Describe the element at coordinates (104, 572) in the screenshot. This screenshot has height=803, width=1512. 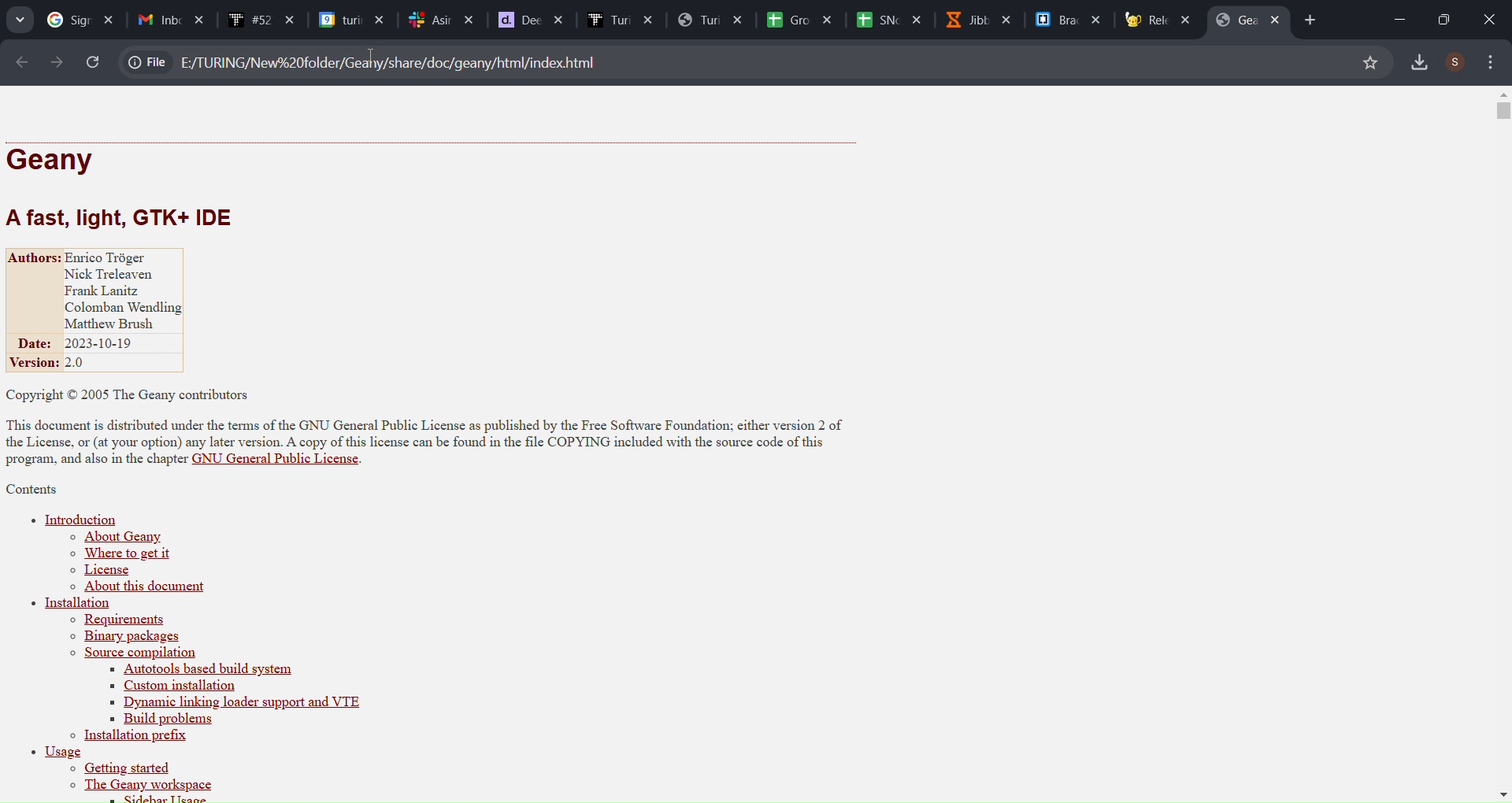
I see `license` at that location.